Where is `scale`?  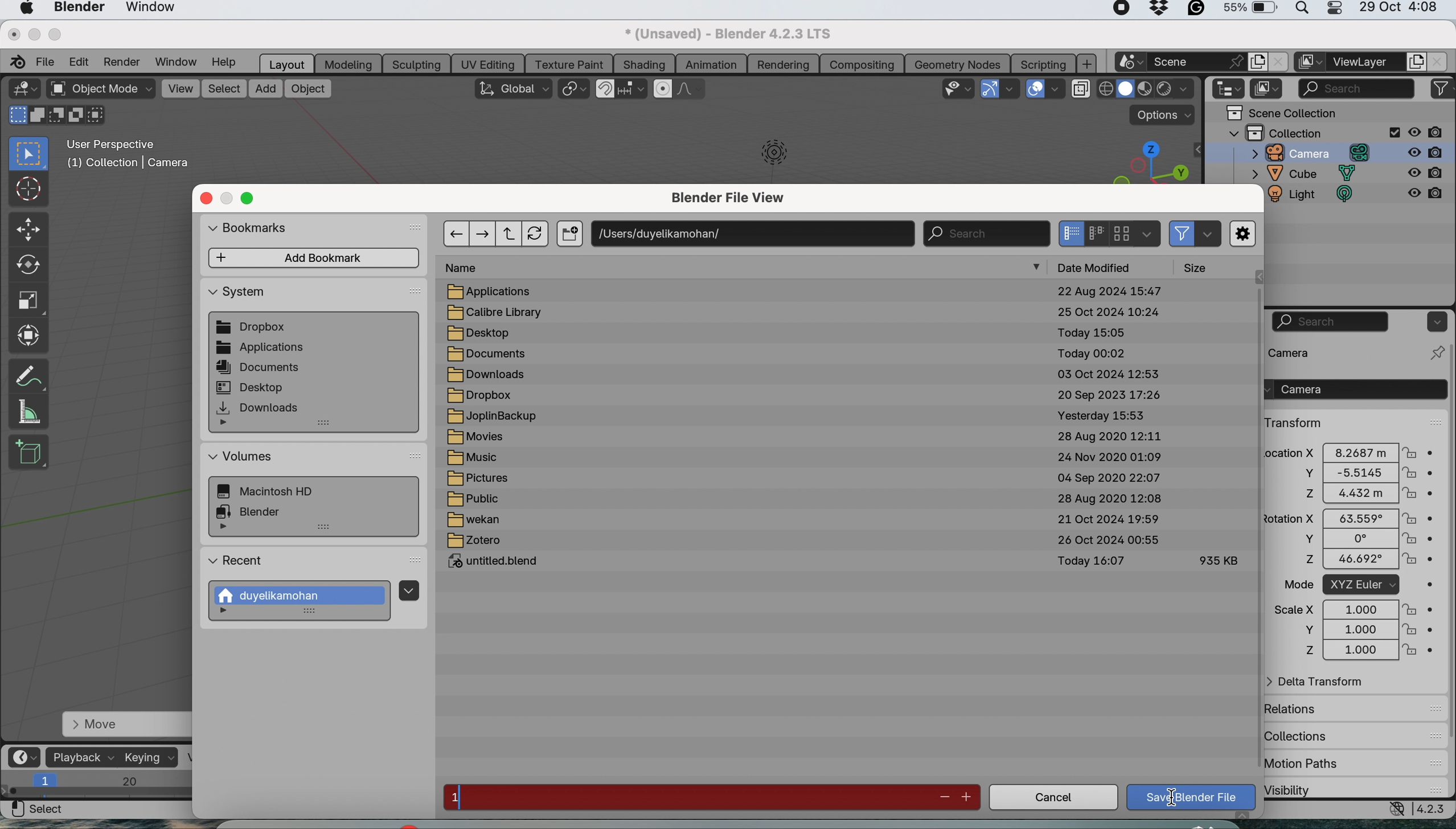 scale is located at coordinates (26, 298).